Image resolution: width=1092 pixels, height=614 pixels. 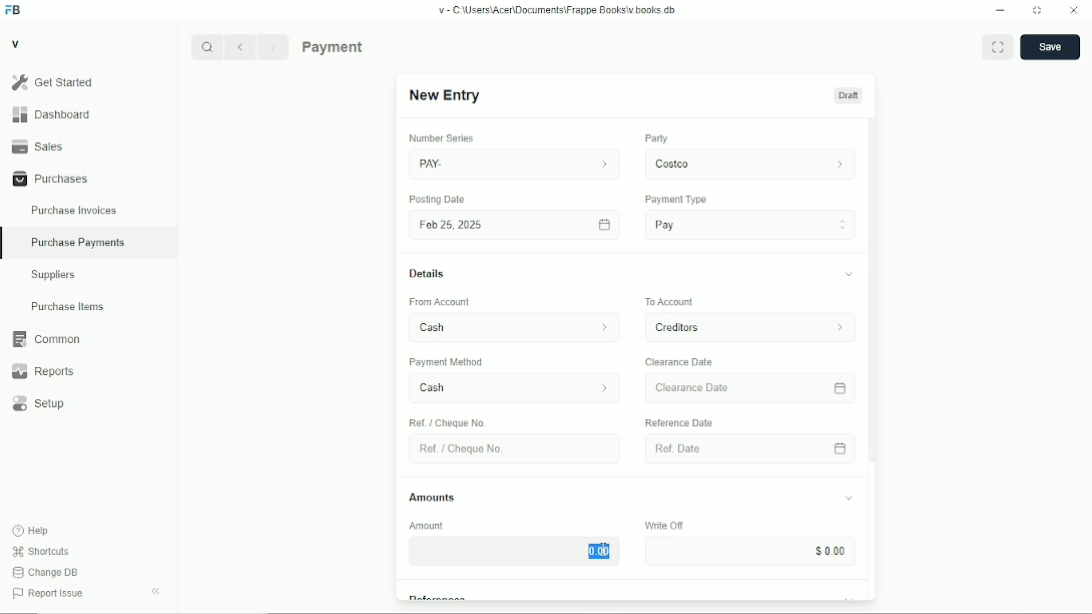 I want to click on calender, so click(x=843, y=386).